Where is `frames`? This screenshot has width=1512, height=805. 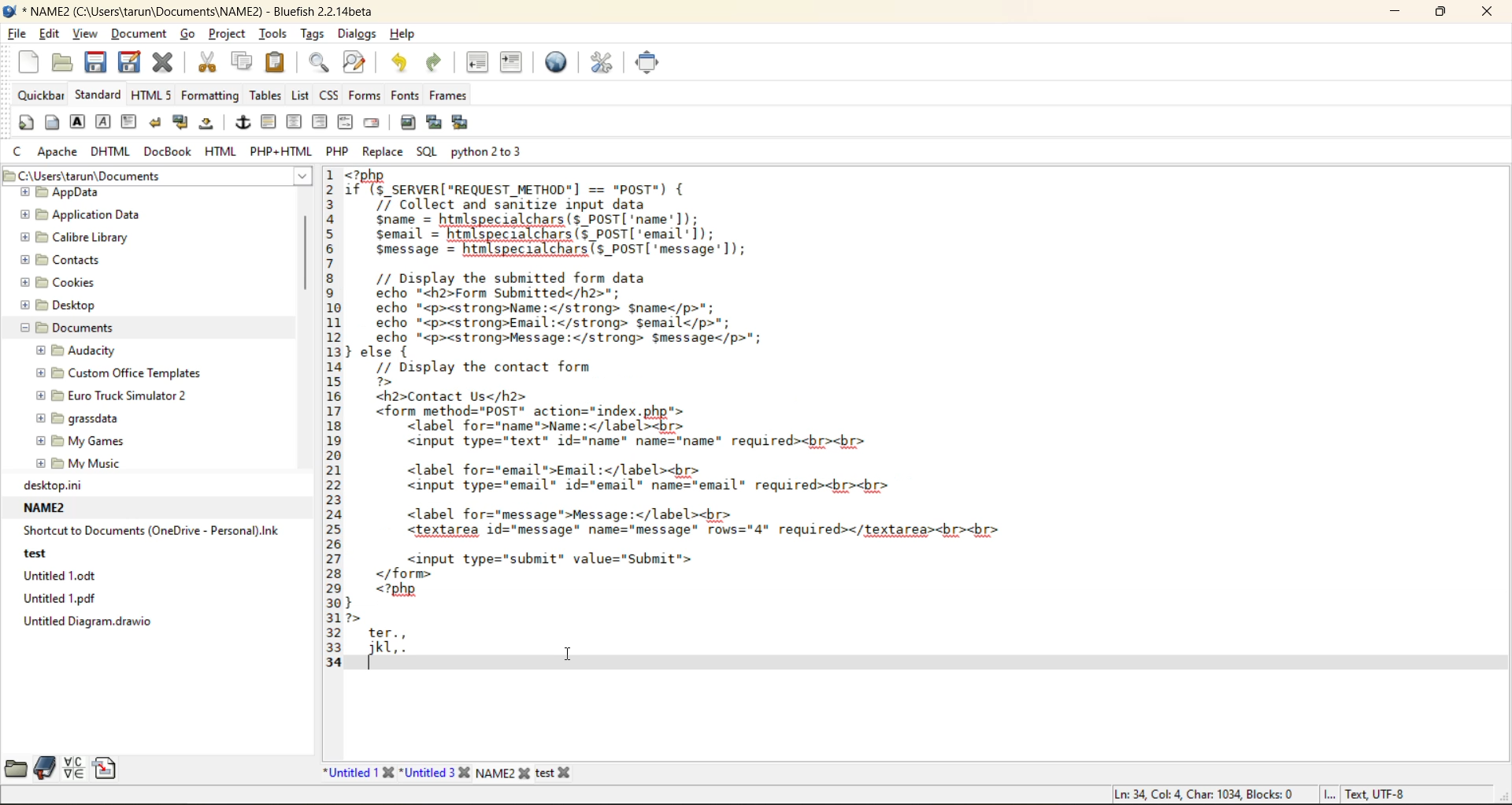 frames is located at coordinates (450, 97).